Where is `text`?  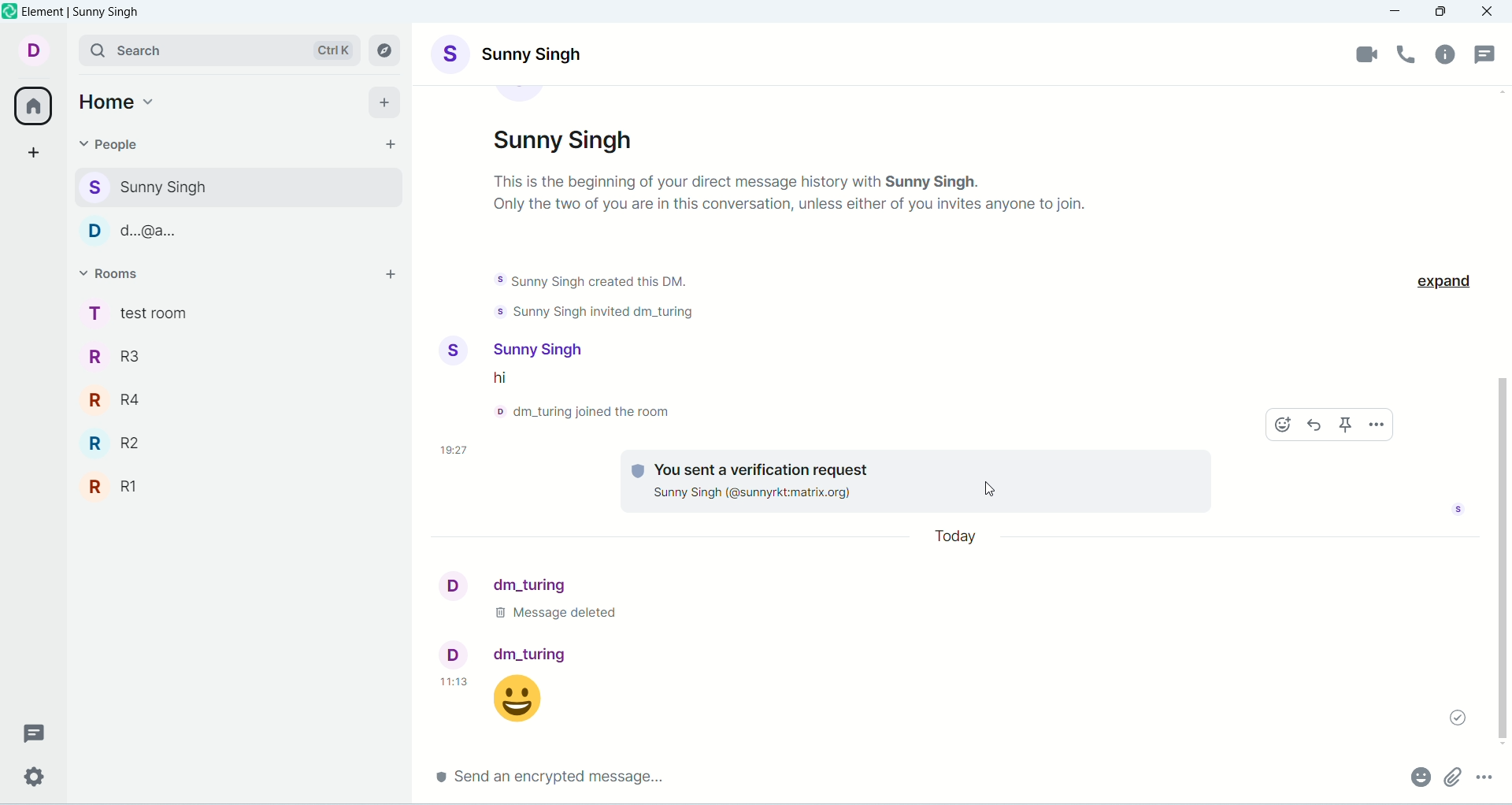 text is located at coordinates (587, 289).